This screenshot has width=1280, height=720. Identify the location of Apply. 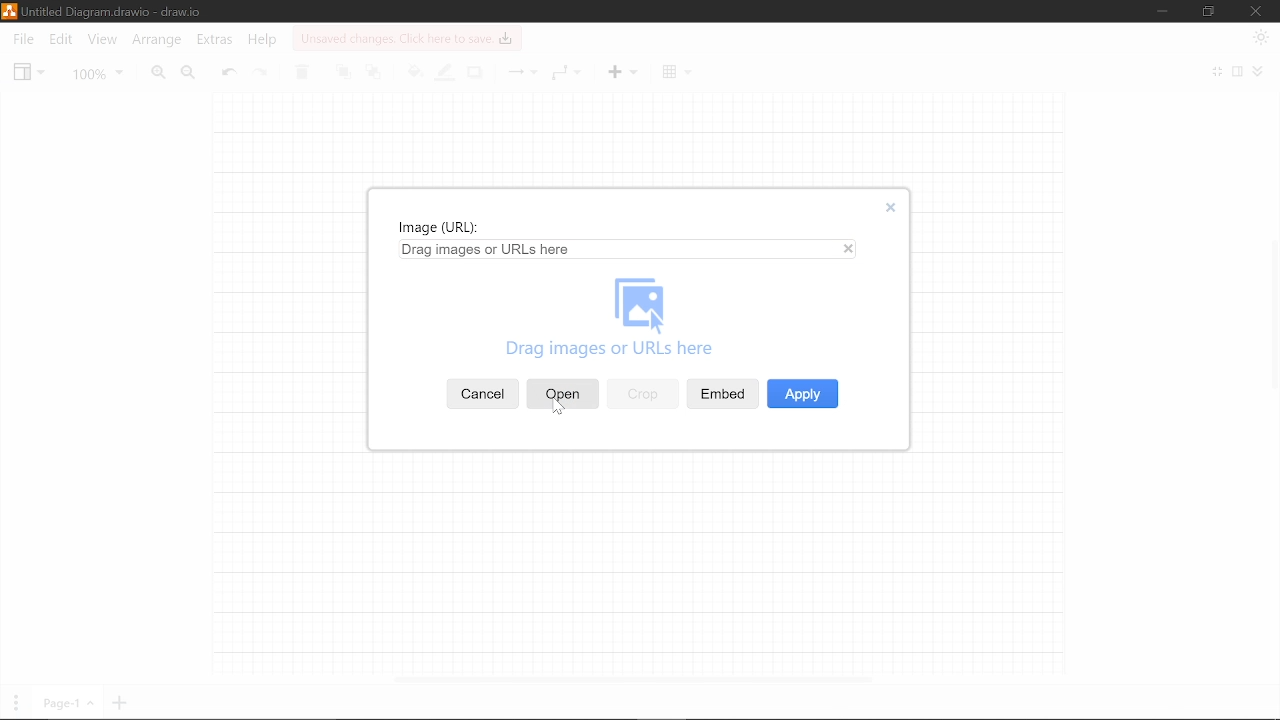
(802, 394).